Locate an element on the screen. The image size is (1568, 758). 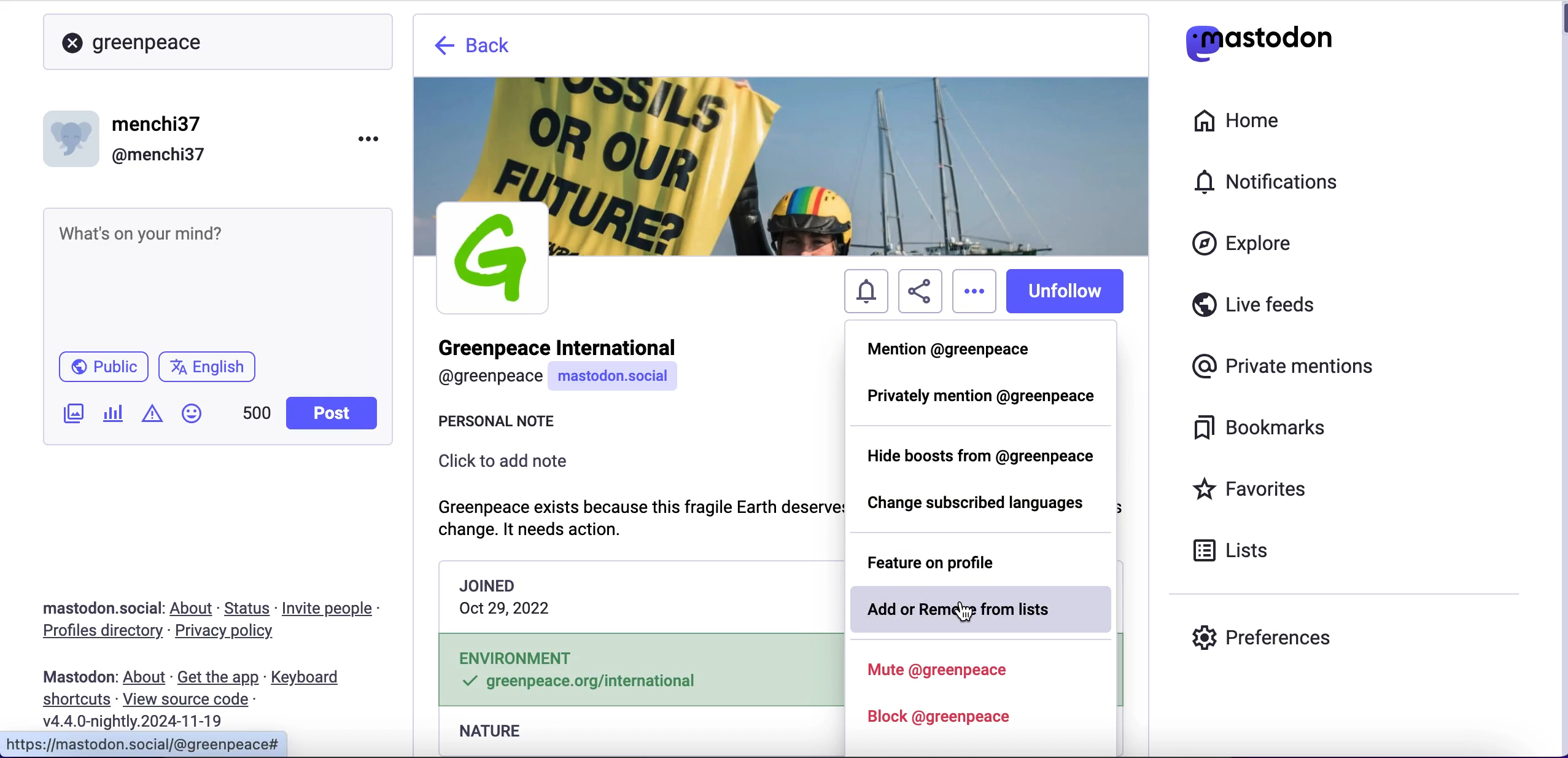
add a poll is located at coordinates (112, 418).